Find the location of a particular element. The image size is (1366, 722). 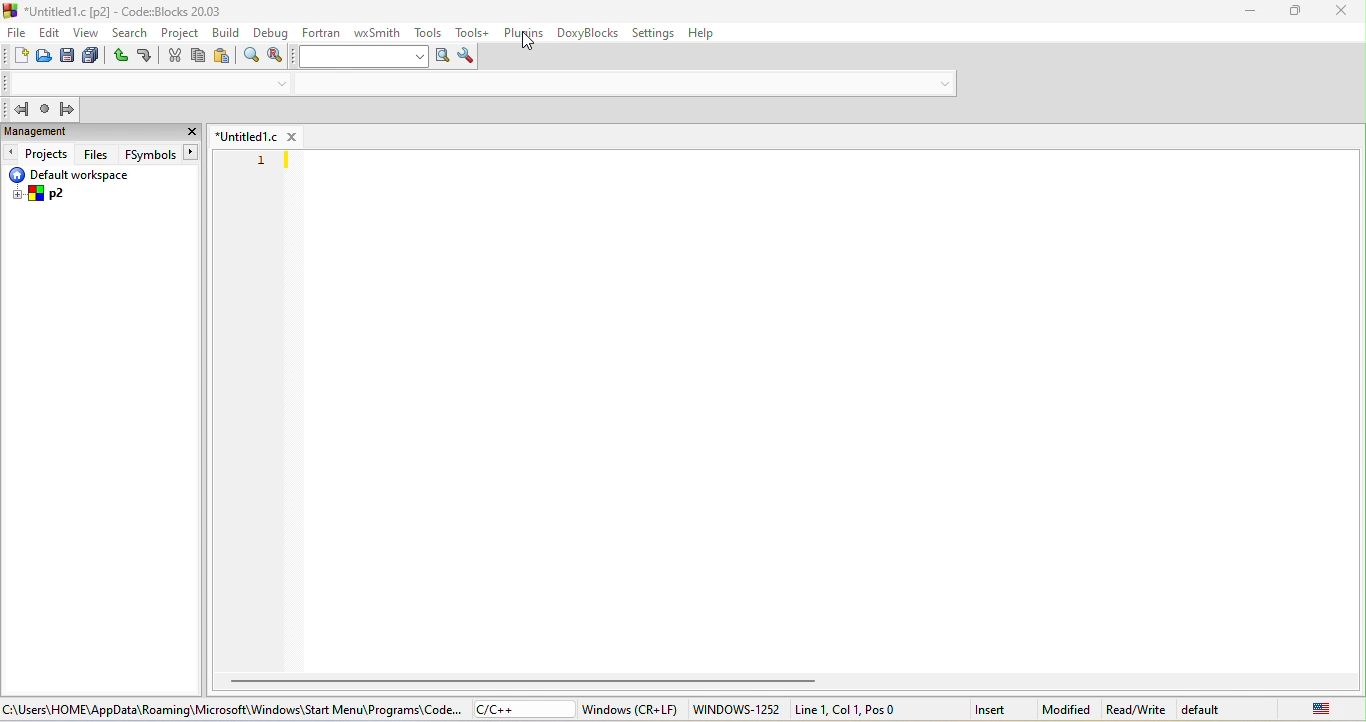

cut is located at coordinates (176, 57).